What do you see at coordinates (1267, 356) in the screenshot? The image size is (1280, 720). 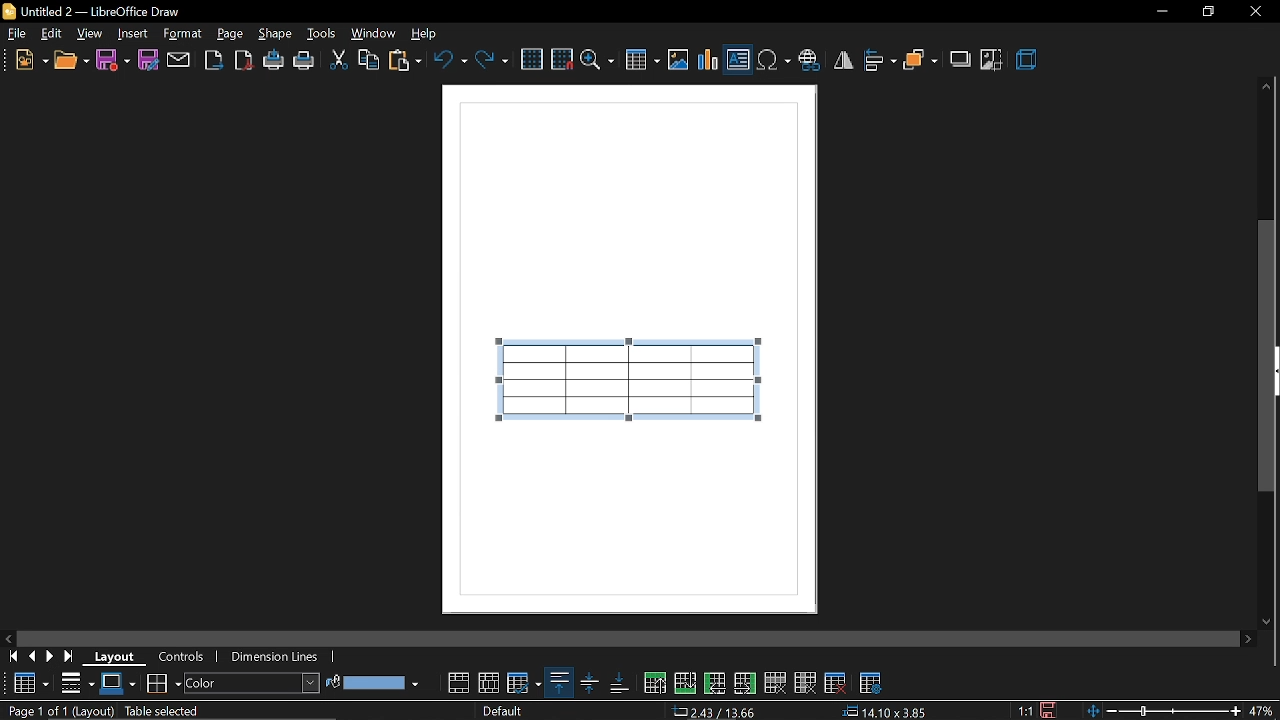 I see `vertical scrollbar` at bounding box center [1267, 356].